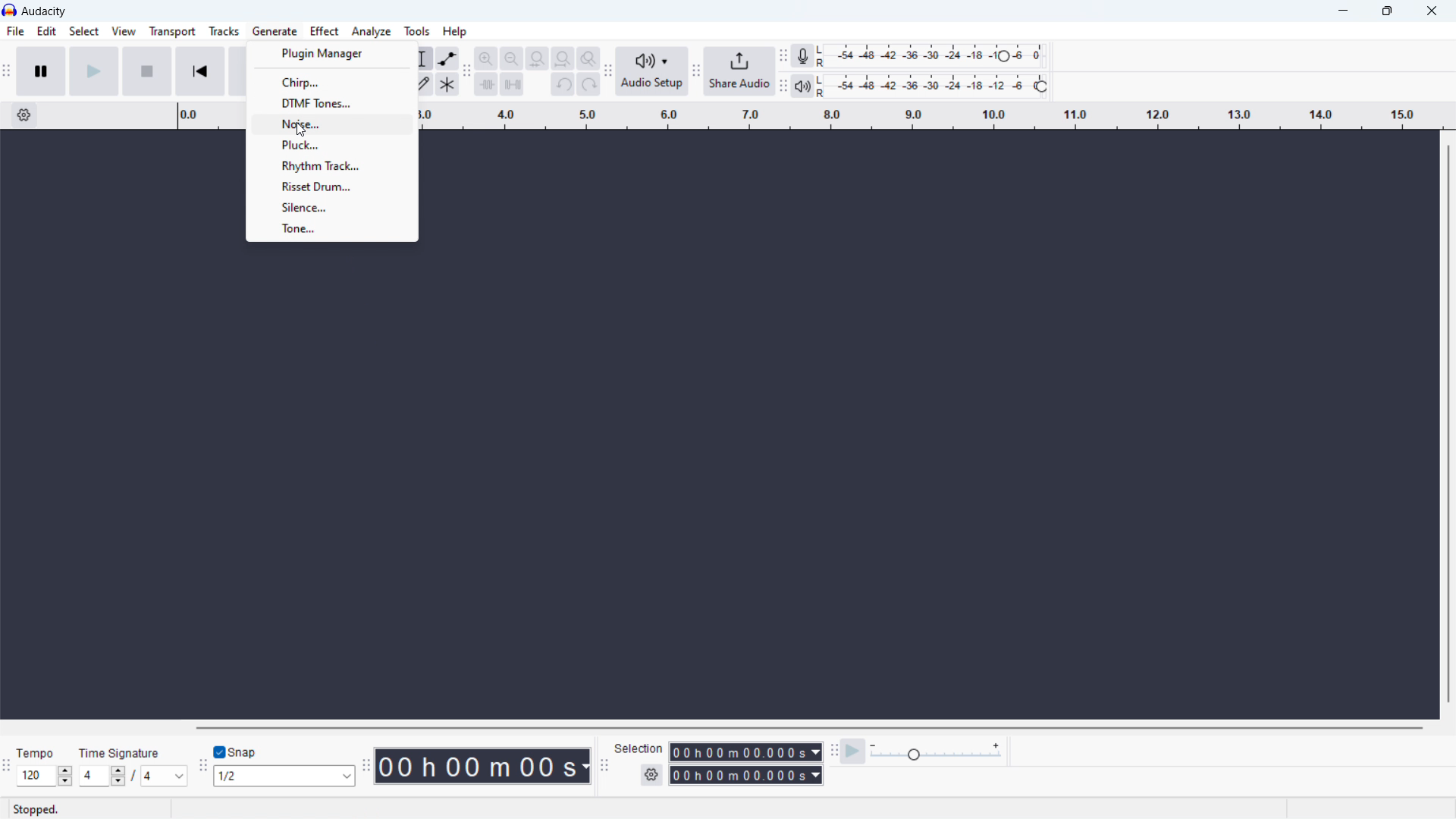  I want to click on sience selection, so click(513, 83).